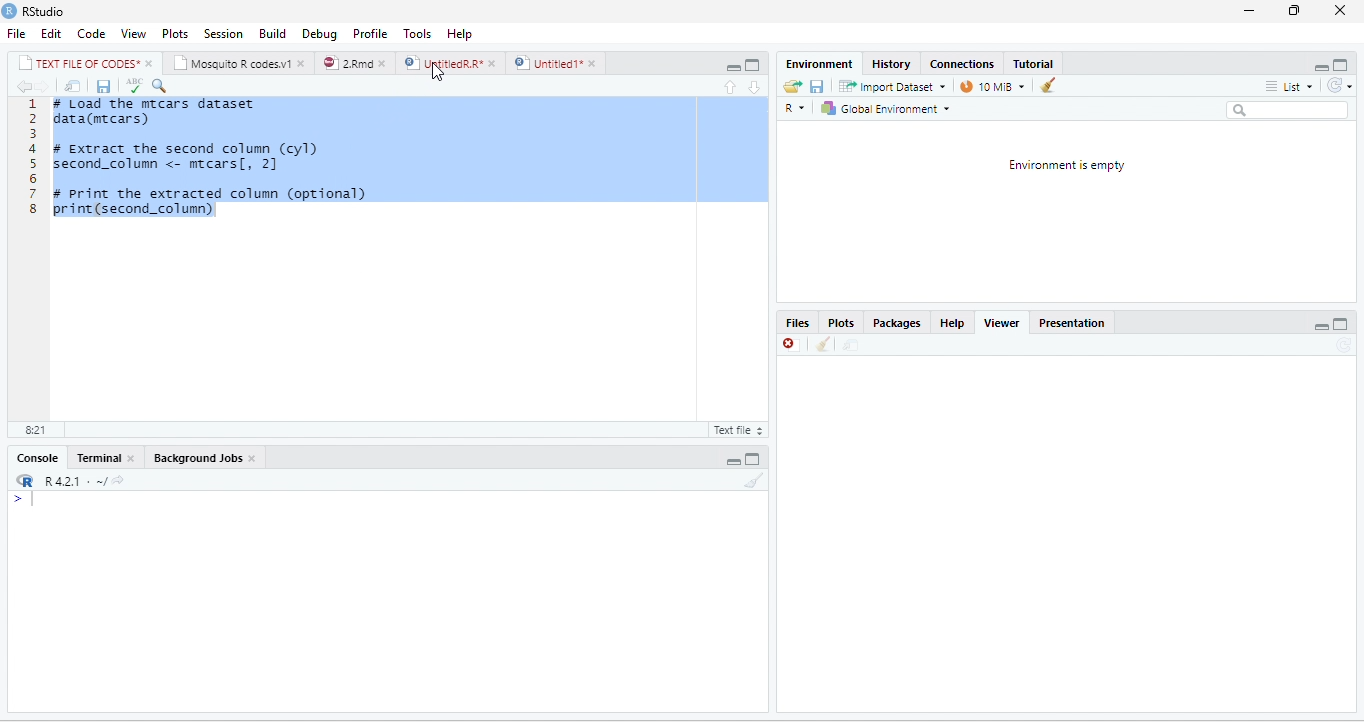 The width and height of the screenshot is (1364, 722). I want to click on 7, so click(32, 193).